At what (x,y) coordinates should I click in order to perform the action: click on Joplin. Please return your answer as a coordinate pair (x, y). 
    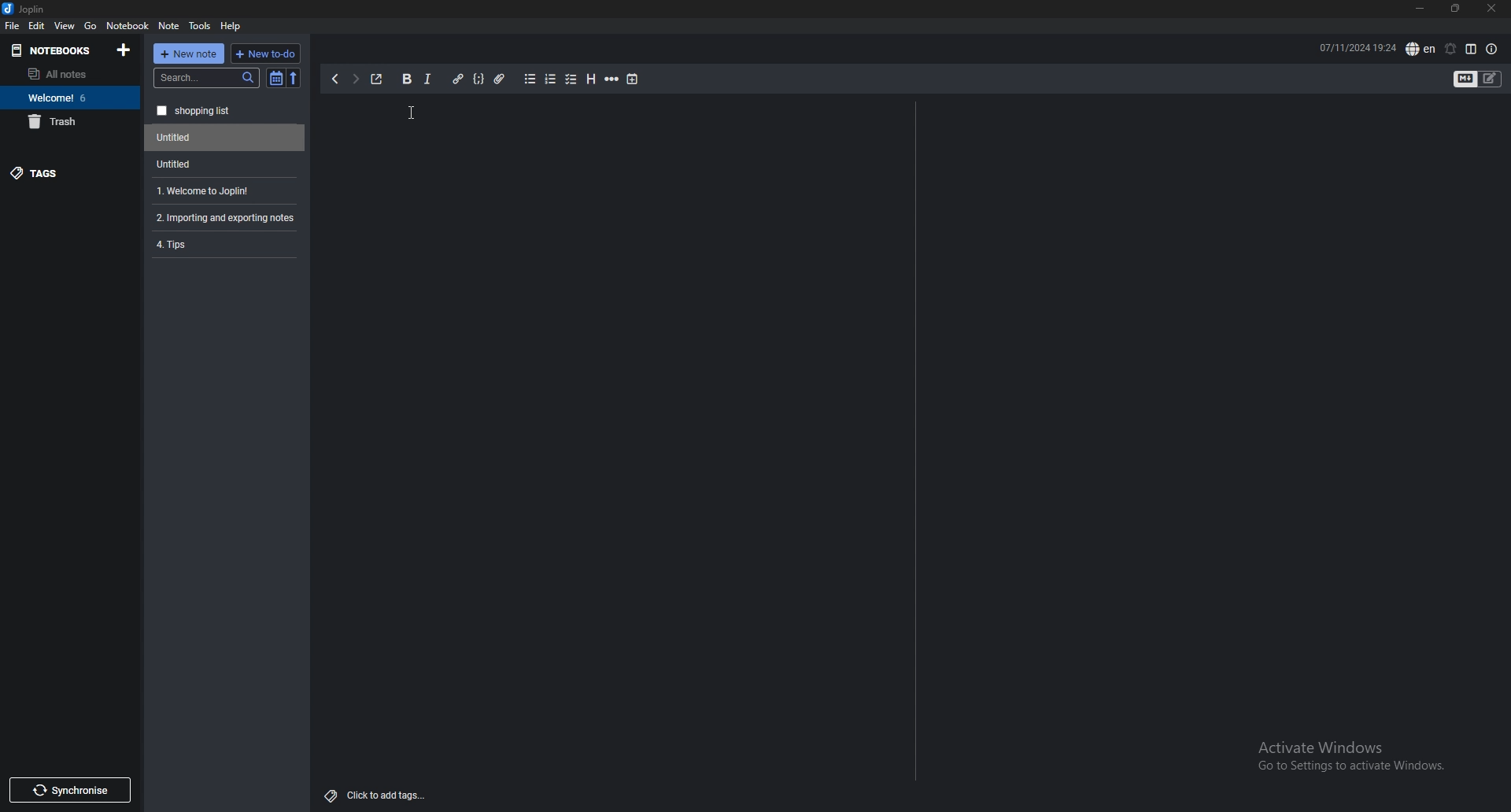
    Looking at the image, I should click on (36, 9).